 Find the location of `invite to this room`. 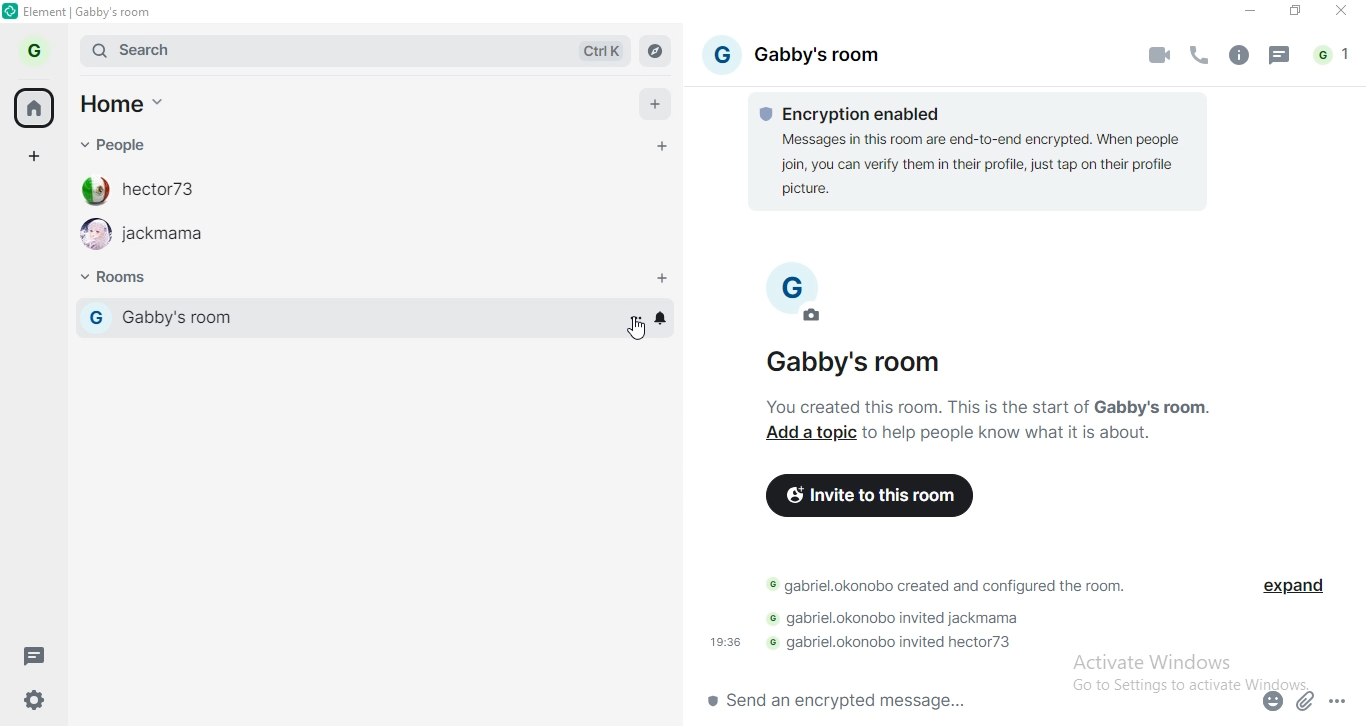

invite to this room is located at coordinates (871, 496).